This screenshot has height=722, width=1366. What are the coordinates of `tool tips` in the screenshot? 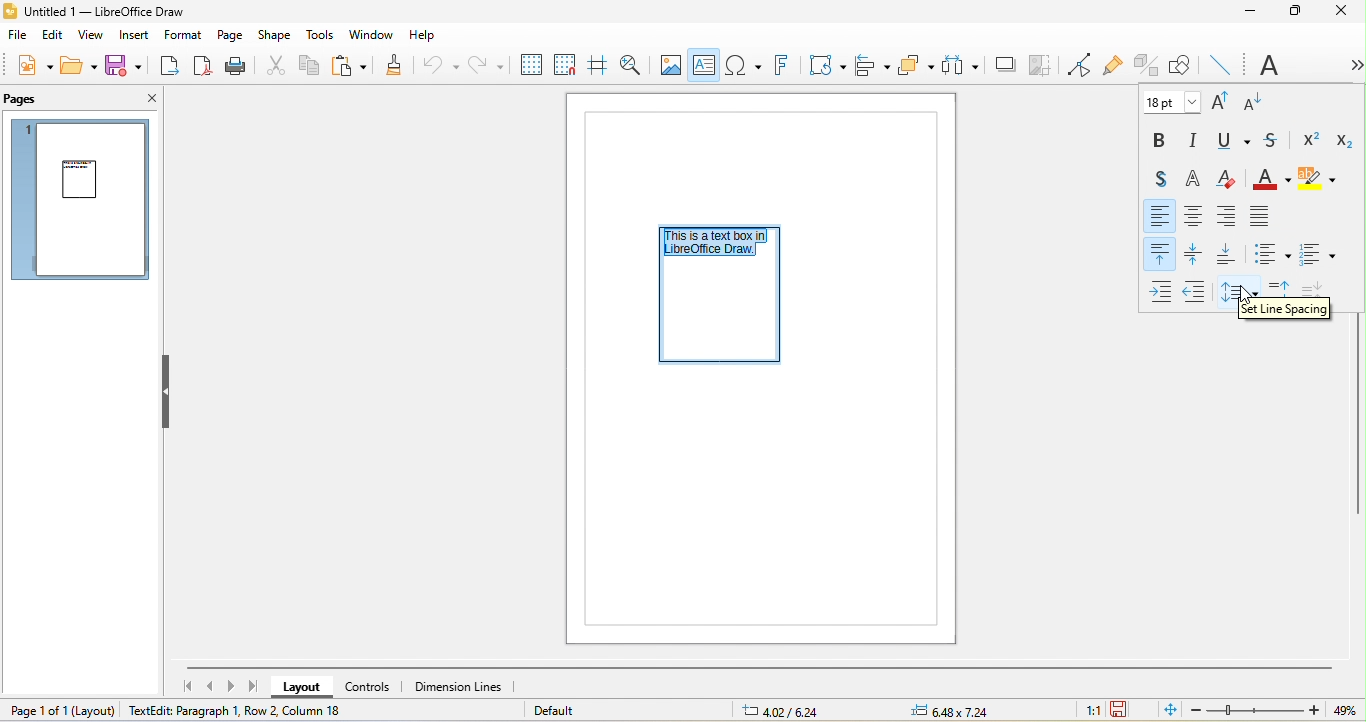 It's located at (1283, 309).